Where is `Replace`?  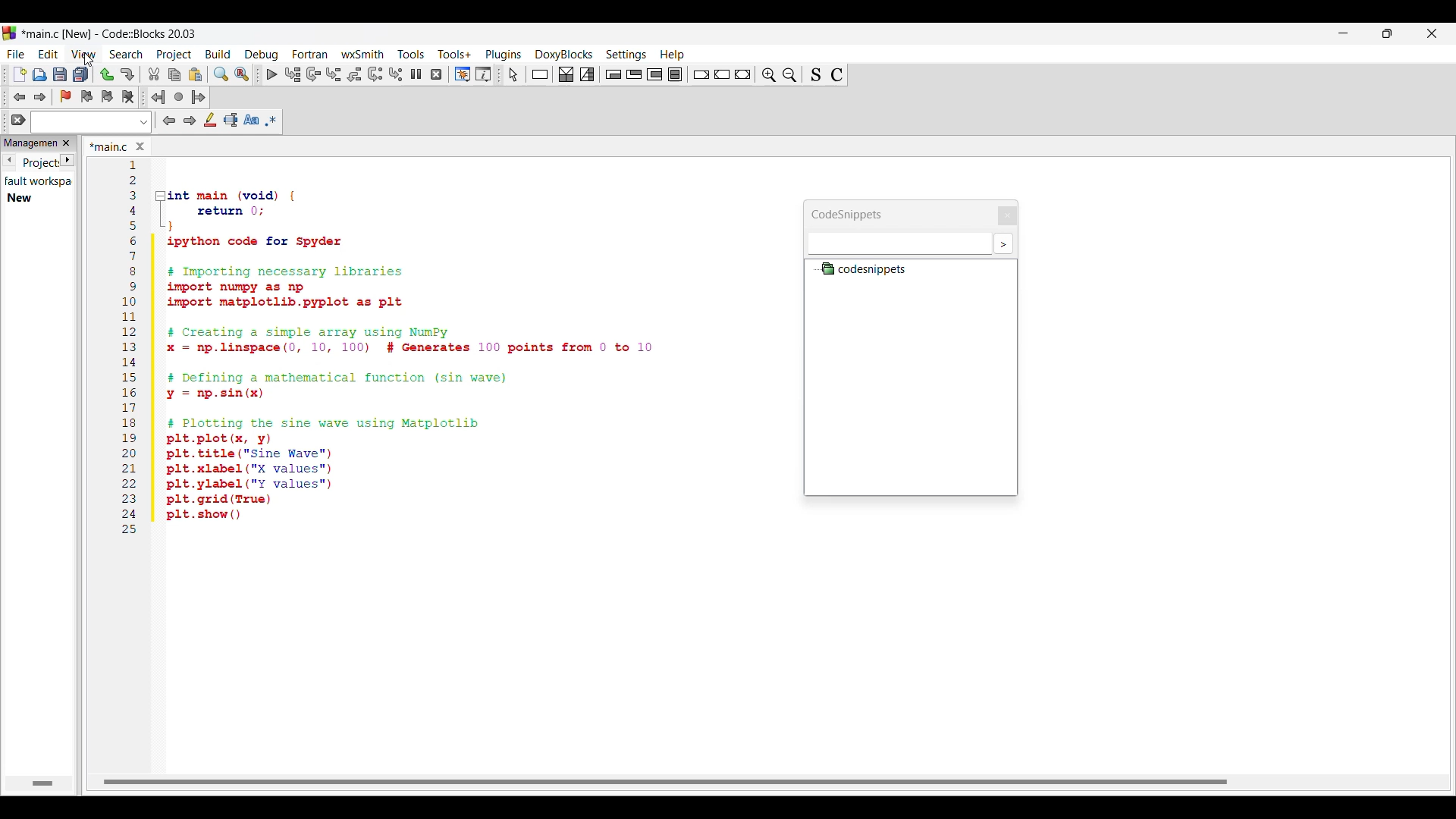 Replace is located at coordinates (242, 74).